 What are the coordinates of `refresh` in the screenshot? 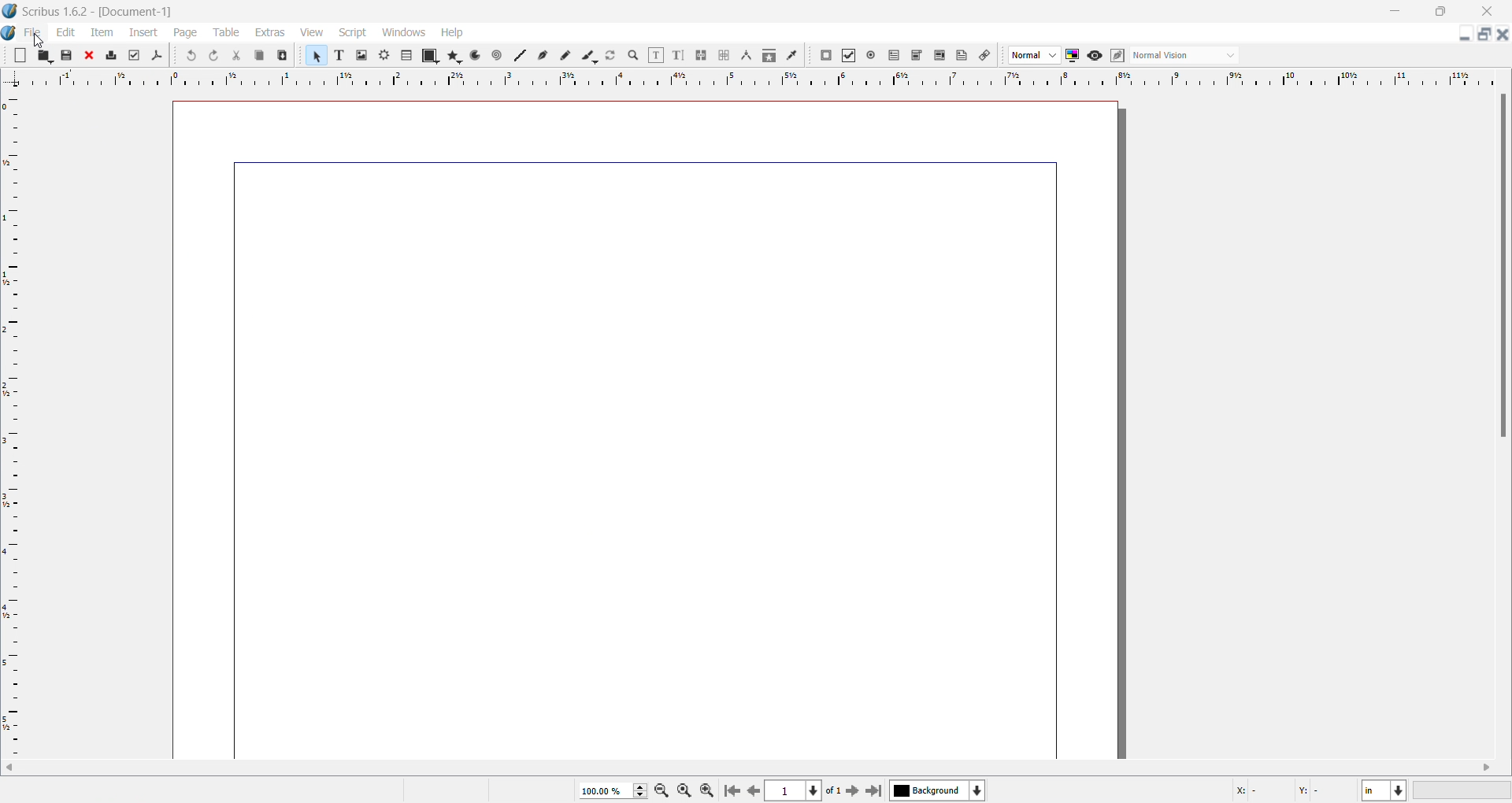 It's located at (610, 57).